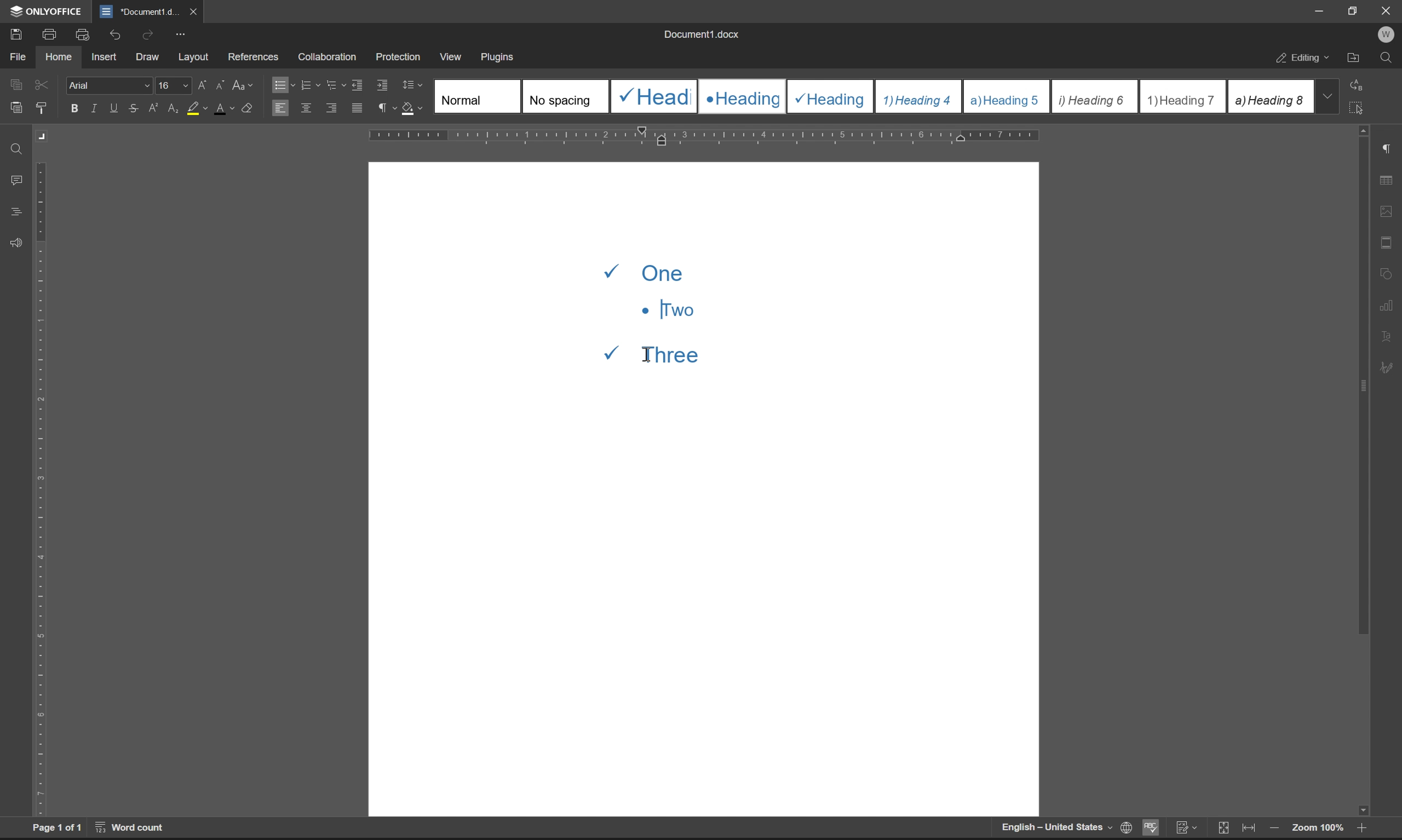 Image resolution: width=1402 pixels, height=840 pixels. What do you see at coordinates (16, 212) in the screenshot?
I see `headings` at bounding box center [16, 212].